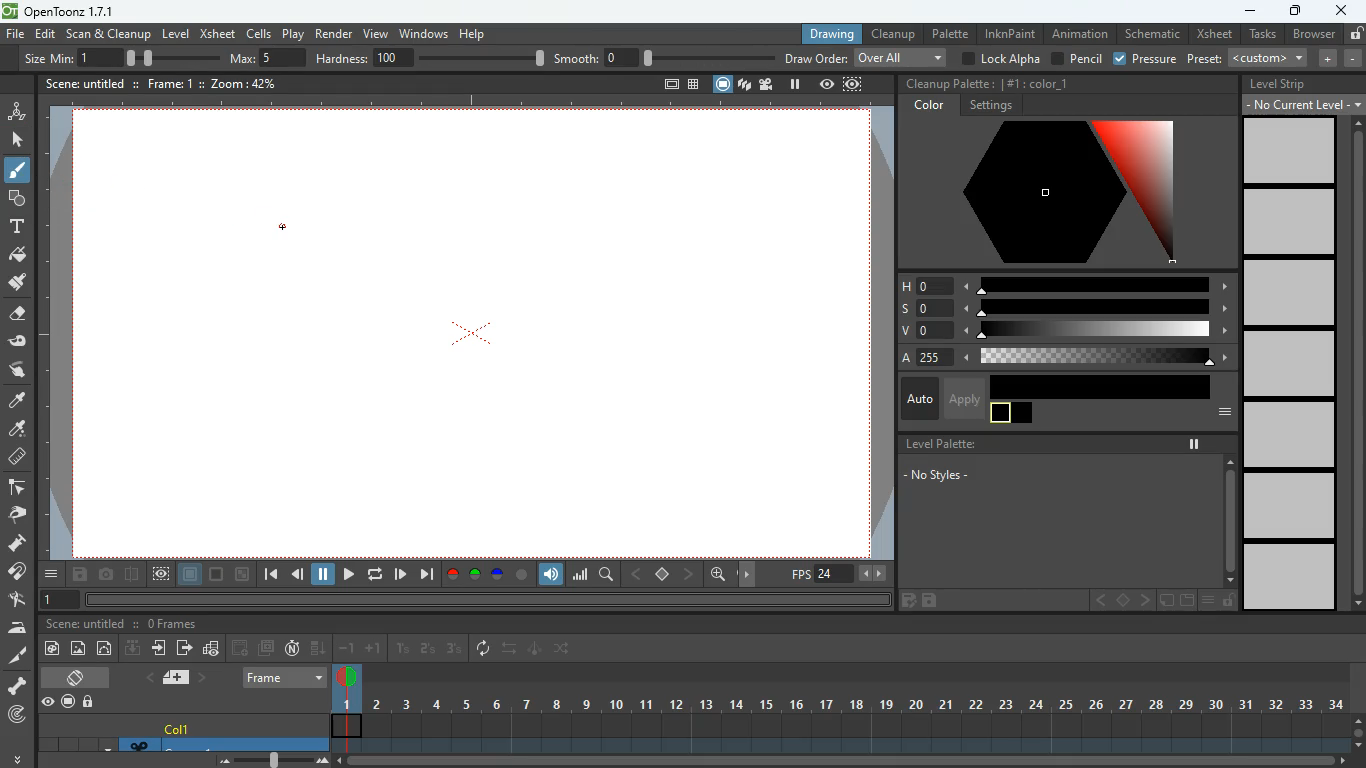 This screenshot has height=768, width=1366. Describe the element at coordinates (1290, 434) in the screenshot. I see `level` at that location.